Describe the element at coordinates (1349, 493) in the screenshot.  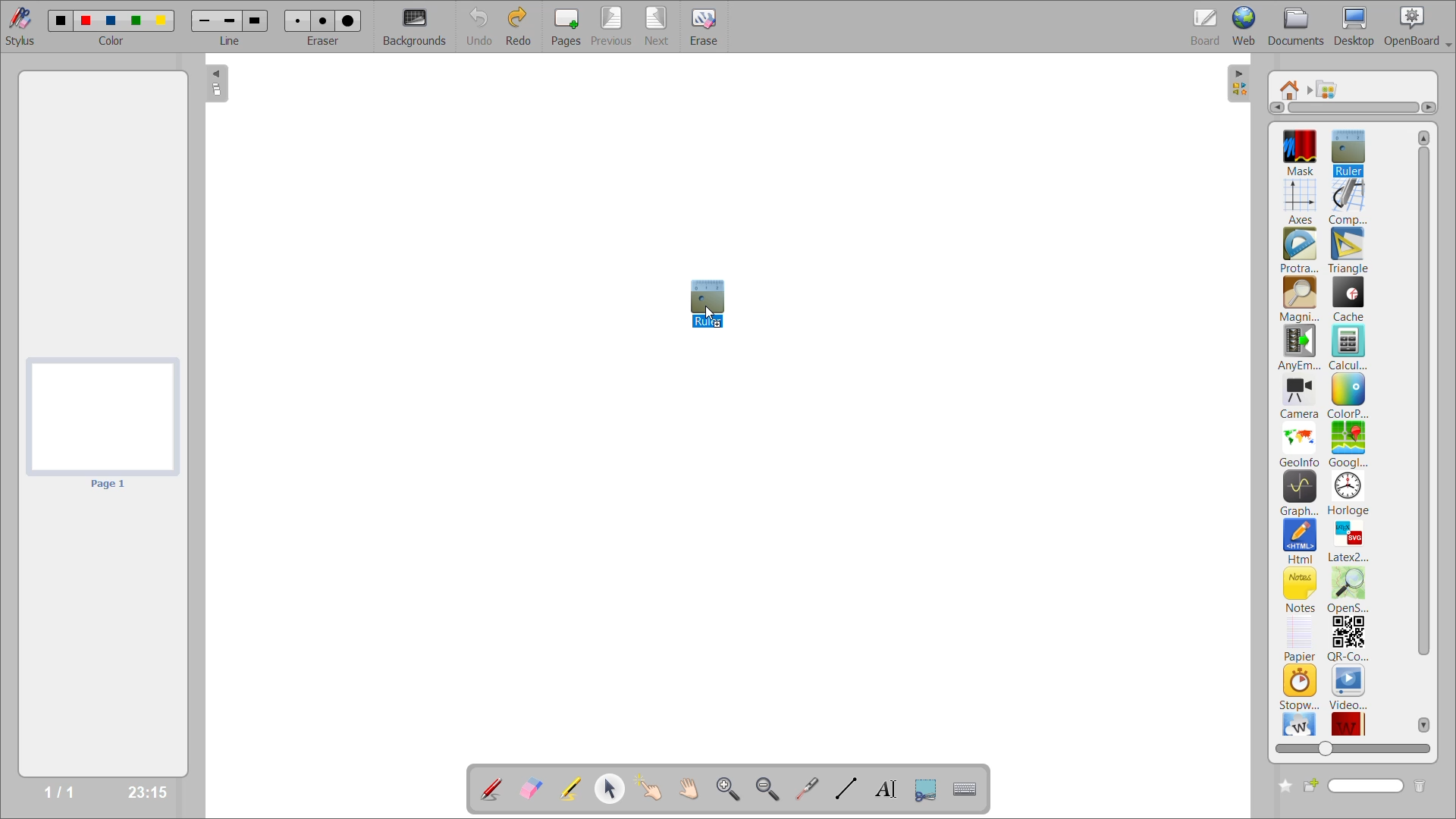
I see `horloge` at that location.